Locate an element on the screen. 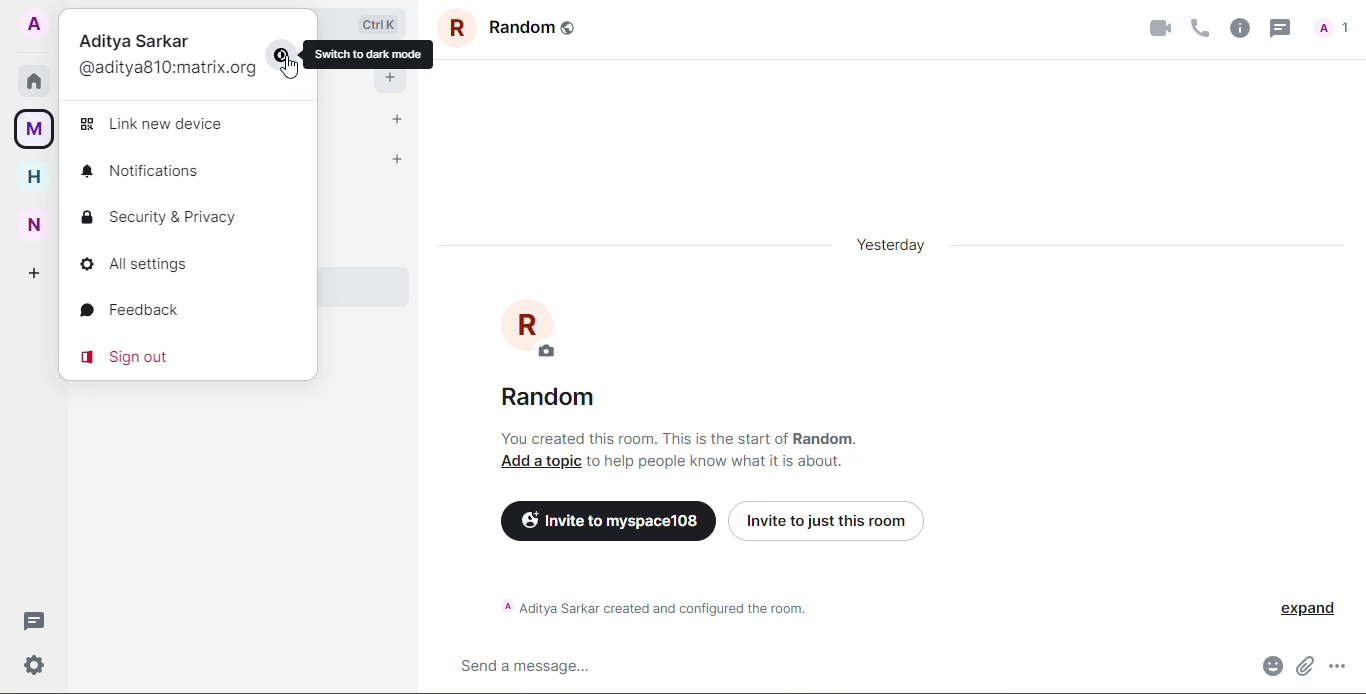 Image resolution: width=1366 pixels, height=694 pixels. feedback is located at coordinates (135, 309).